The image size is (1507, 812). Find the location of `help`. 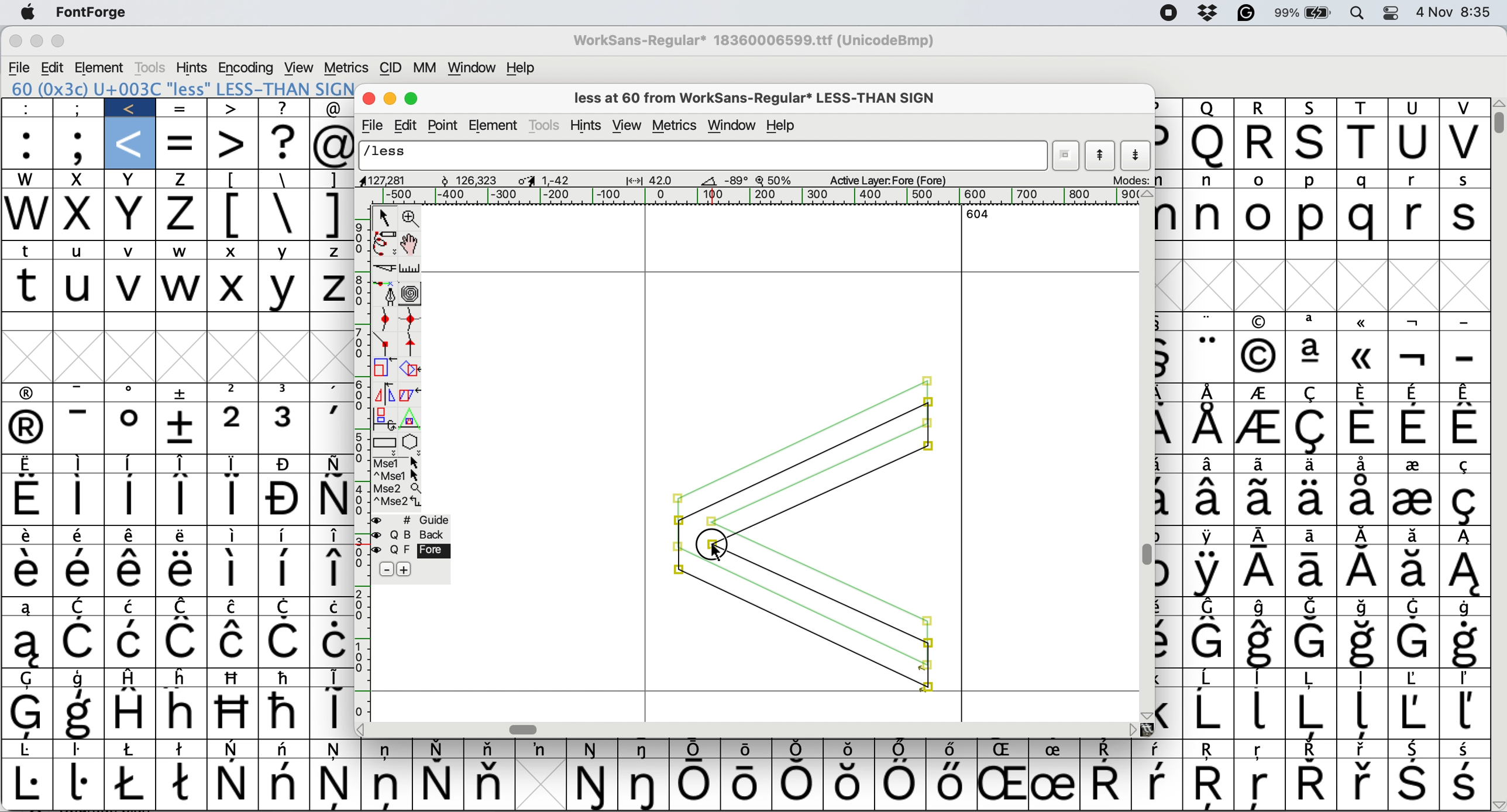

help is located at coordinates (521, 66).